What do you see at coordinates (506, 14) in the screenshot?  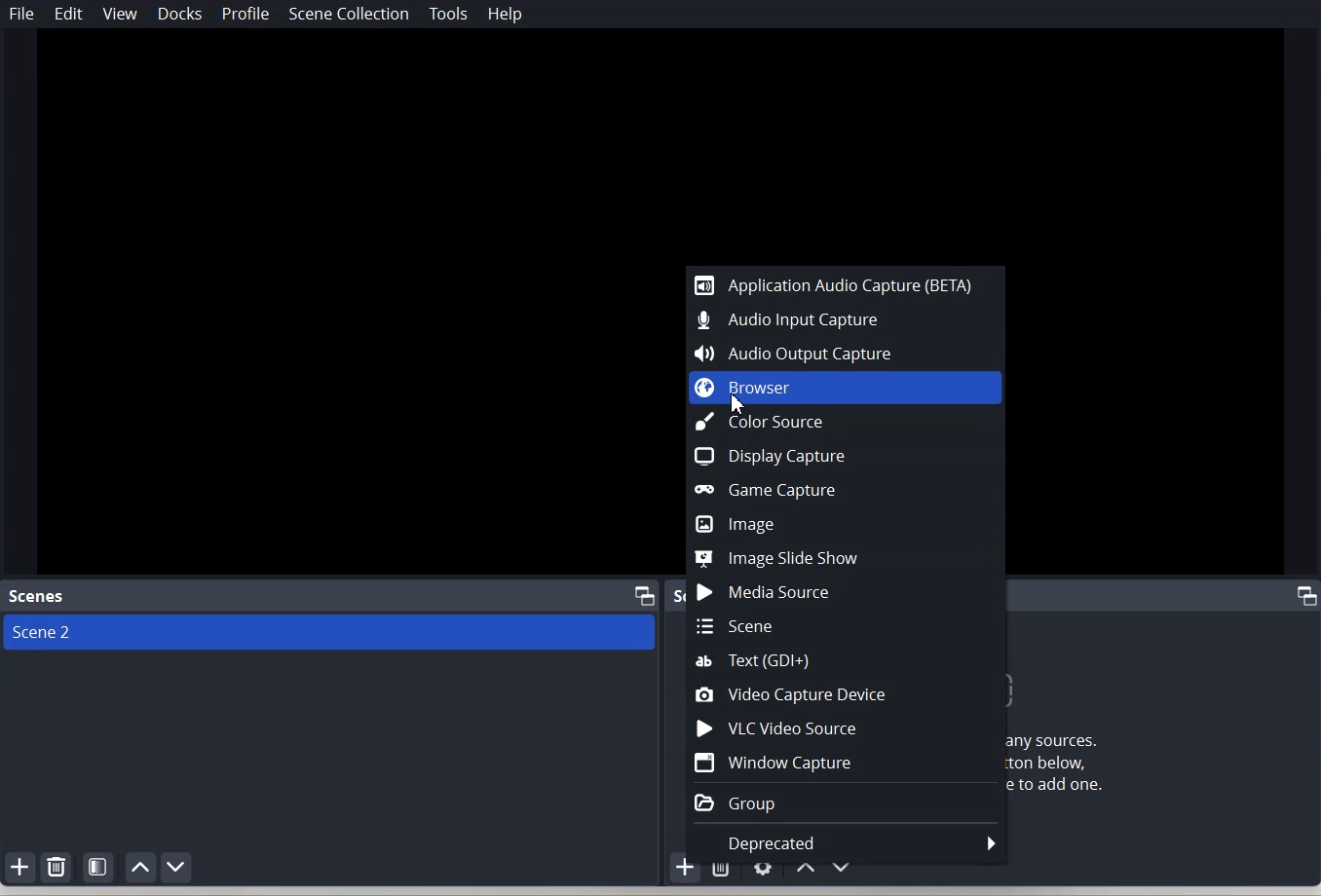 I see `Help` at bounding box center [506, 14].